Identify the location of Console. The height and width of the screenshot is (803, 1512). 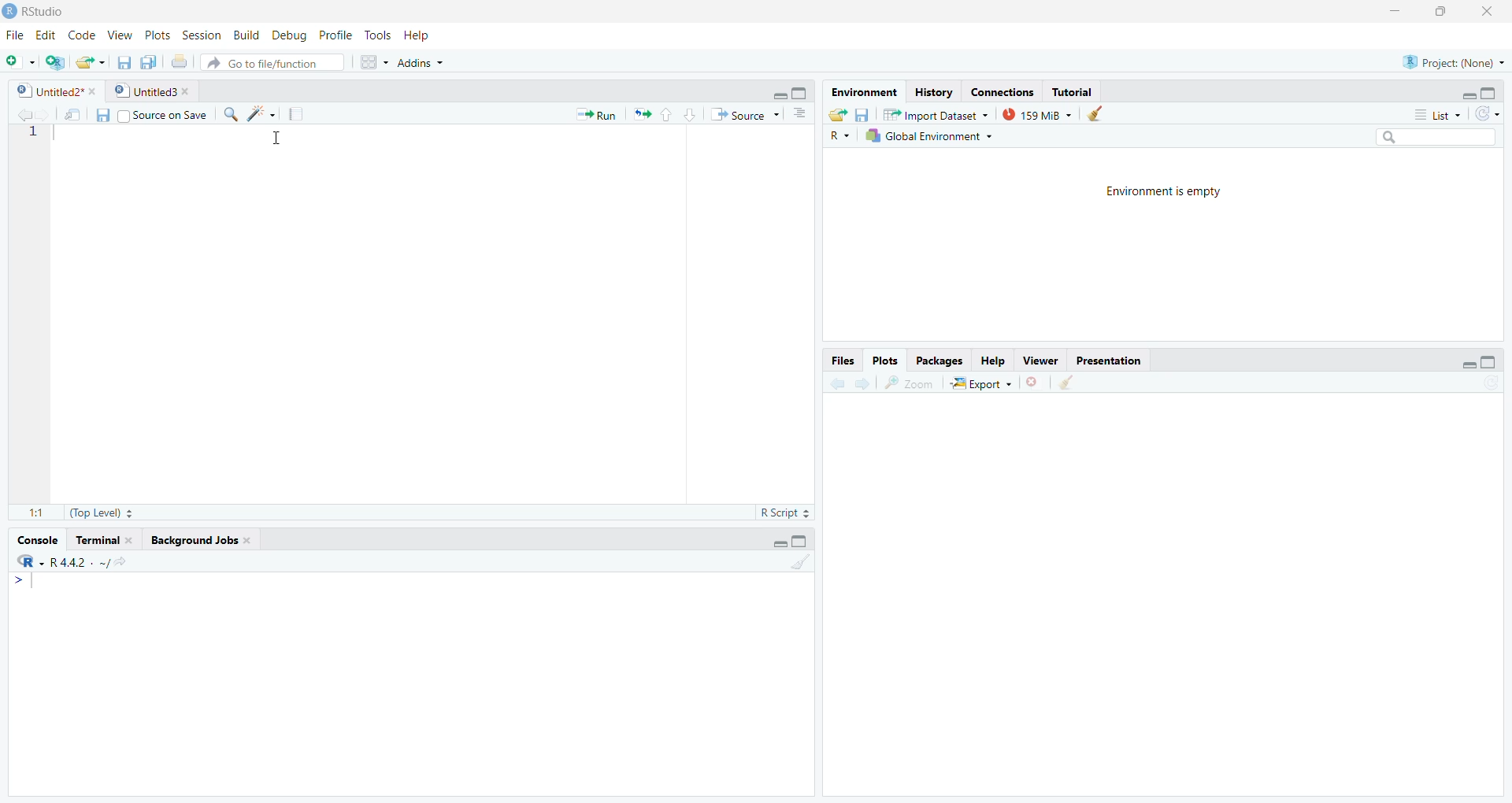
(36, 542).